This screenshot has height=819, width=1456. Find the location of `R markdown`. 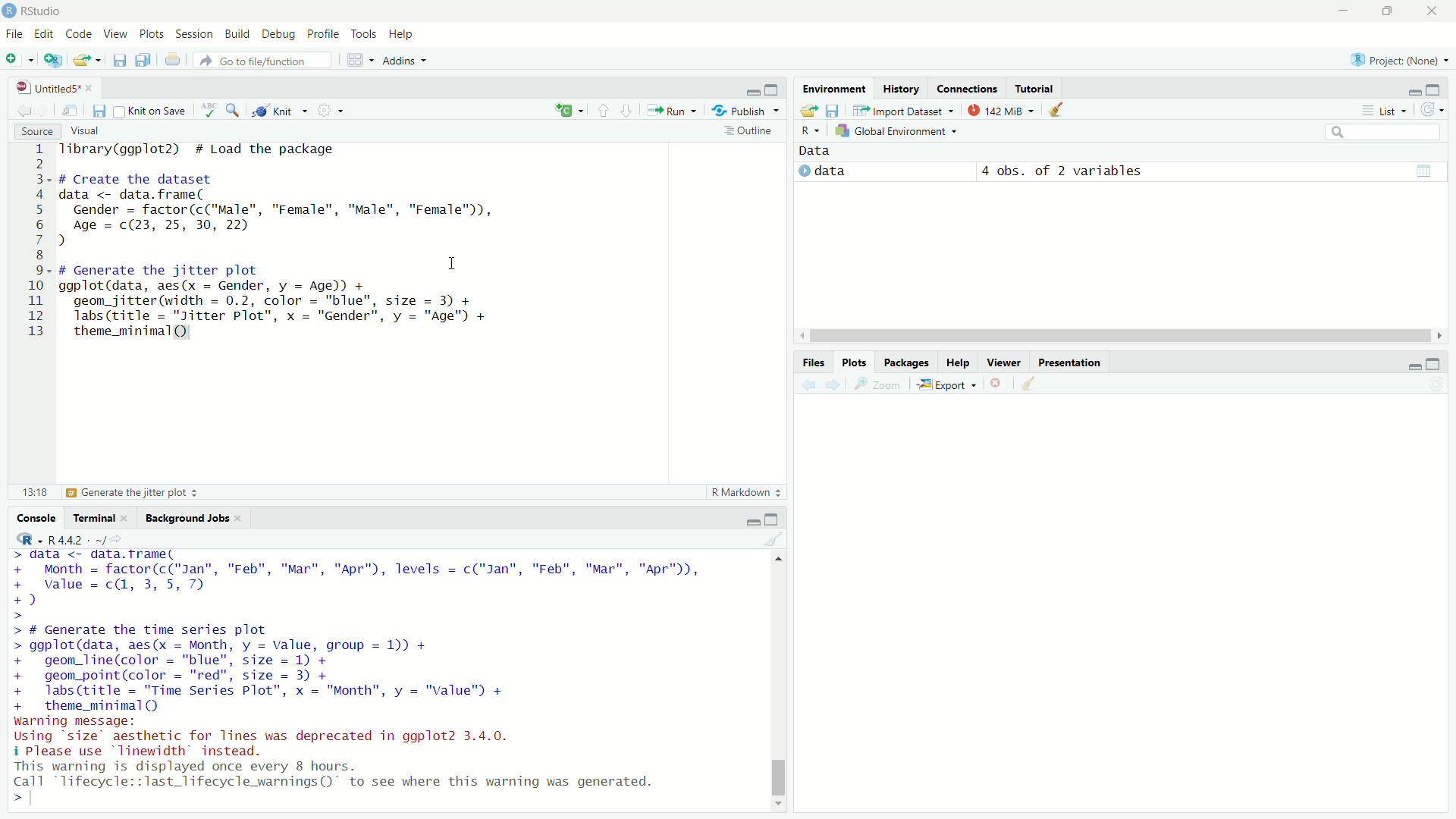

R markdown is located at coordinates (746, 491).